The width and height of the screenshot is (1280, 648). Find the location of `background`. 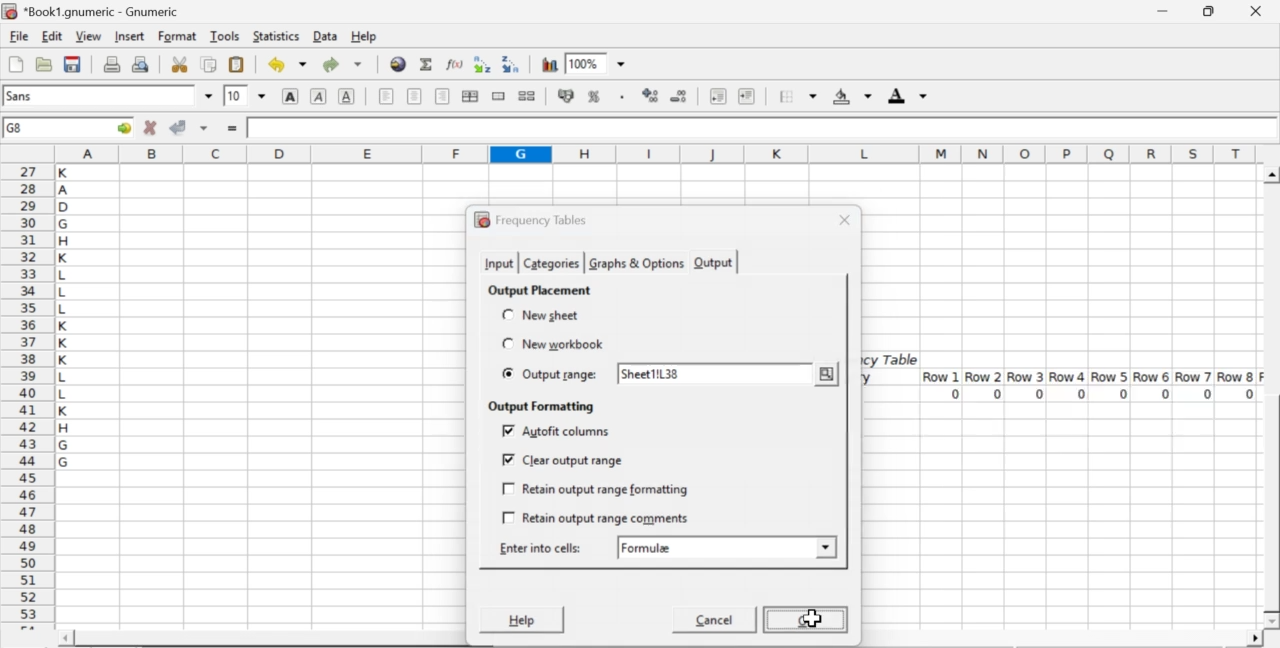

background is located at coordinates (854, 96).